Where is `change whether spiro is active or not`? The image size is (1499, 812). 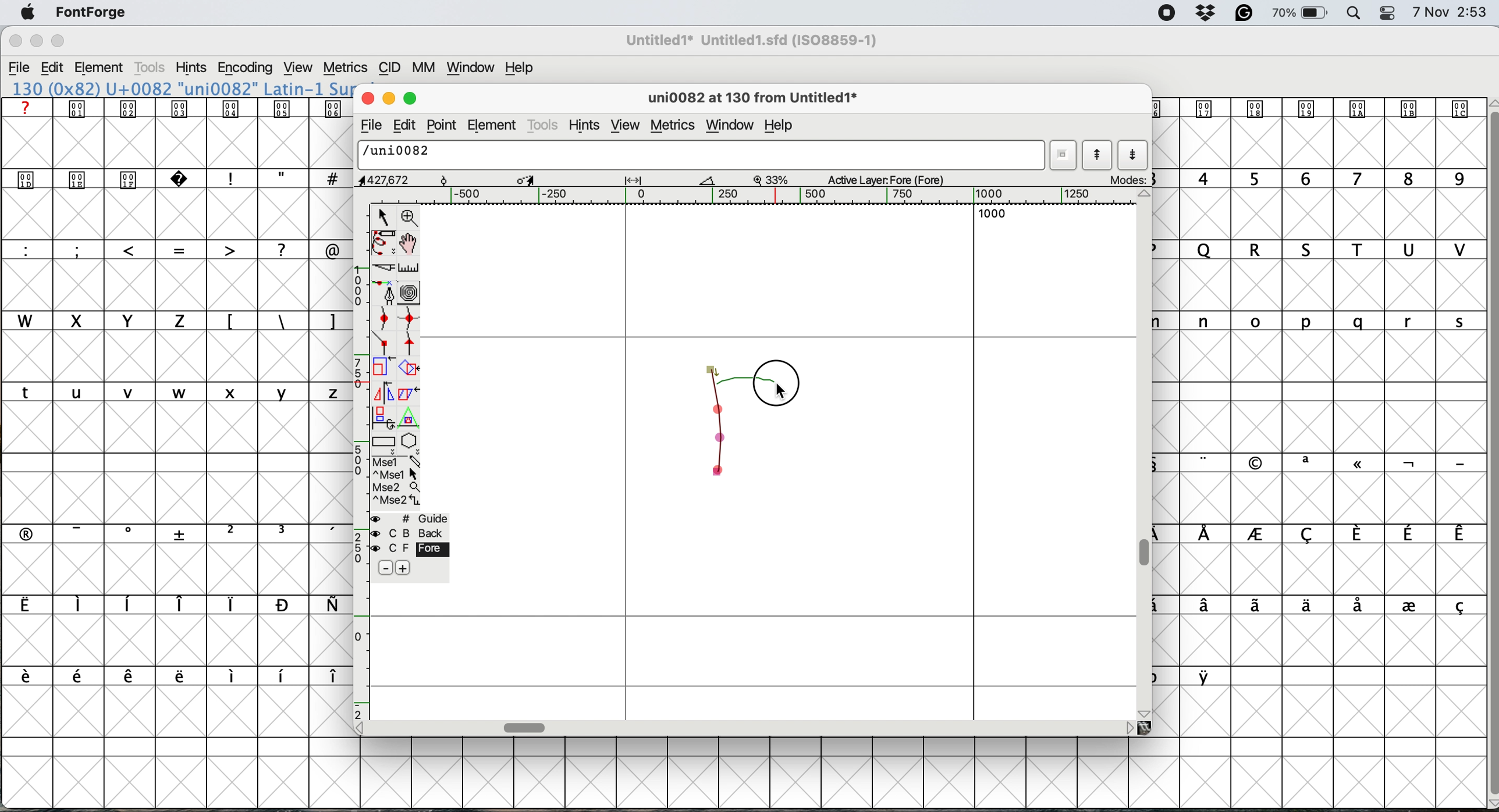 change whether spiro is active or not is located at coordinates (413, 294).